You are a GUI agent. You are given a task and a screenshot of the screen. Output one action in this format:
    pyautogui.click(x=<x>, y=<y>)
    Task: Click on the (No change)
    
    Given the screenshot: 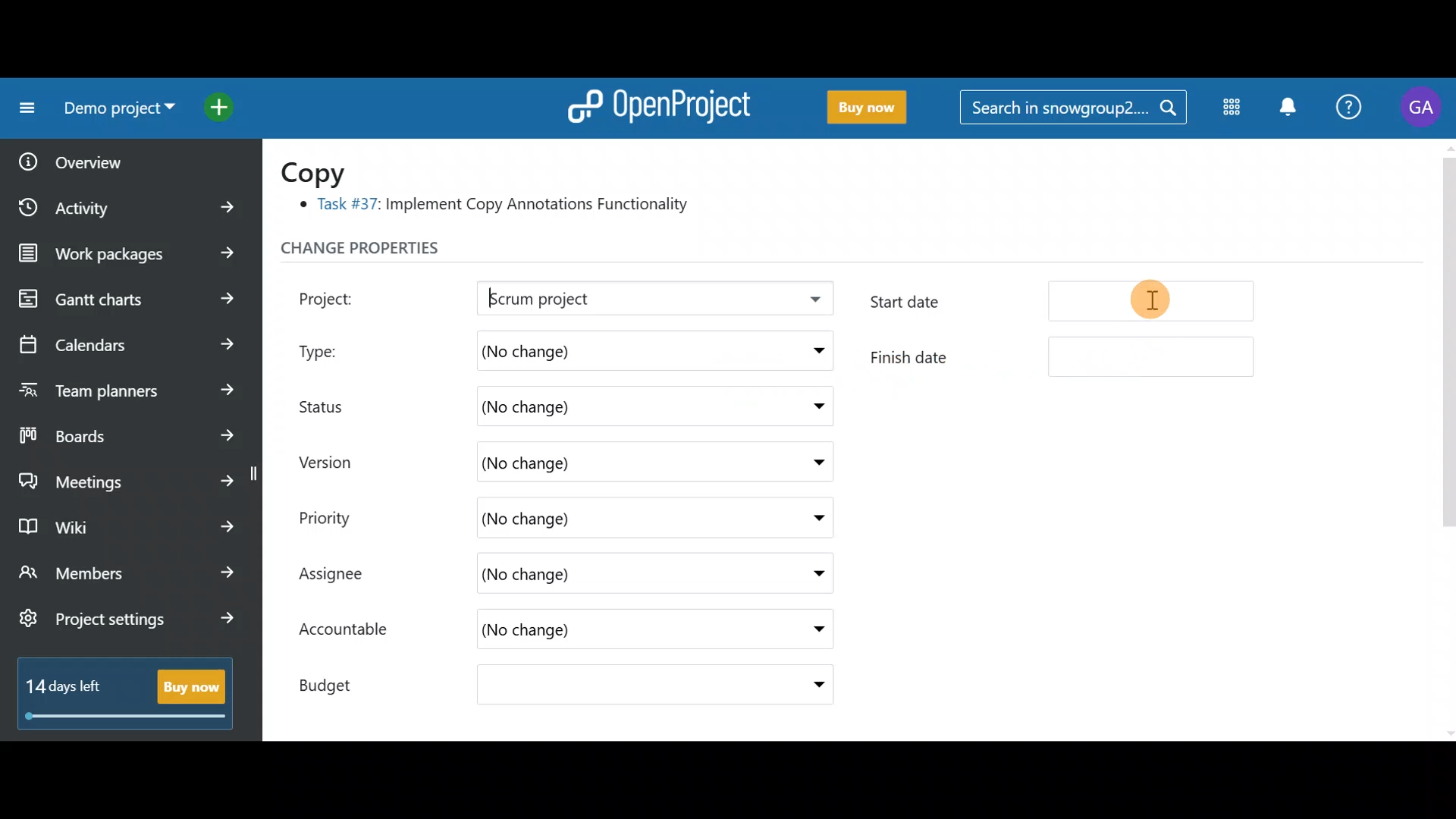 What is the action you would take?
    pyautogui.click(x=573, y=518)
    